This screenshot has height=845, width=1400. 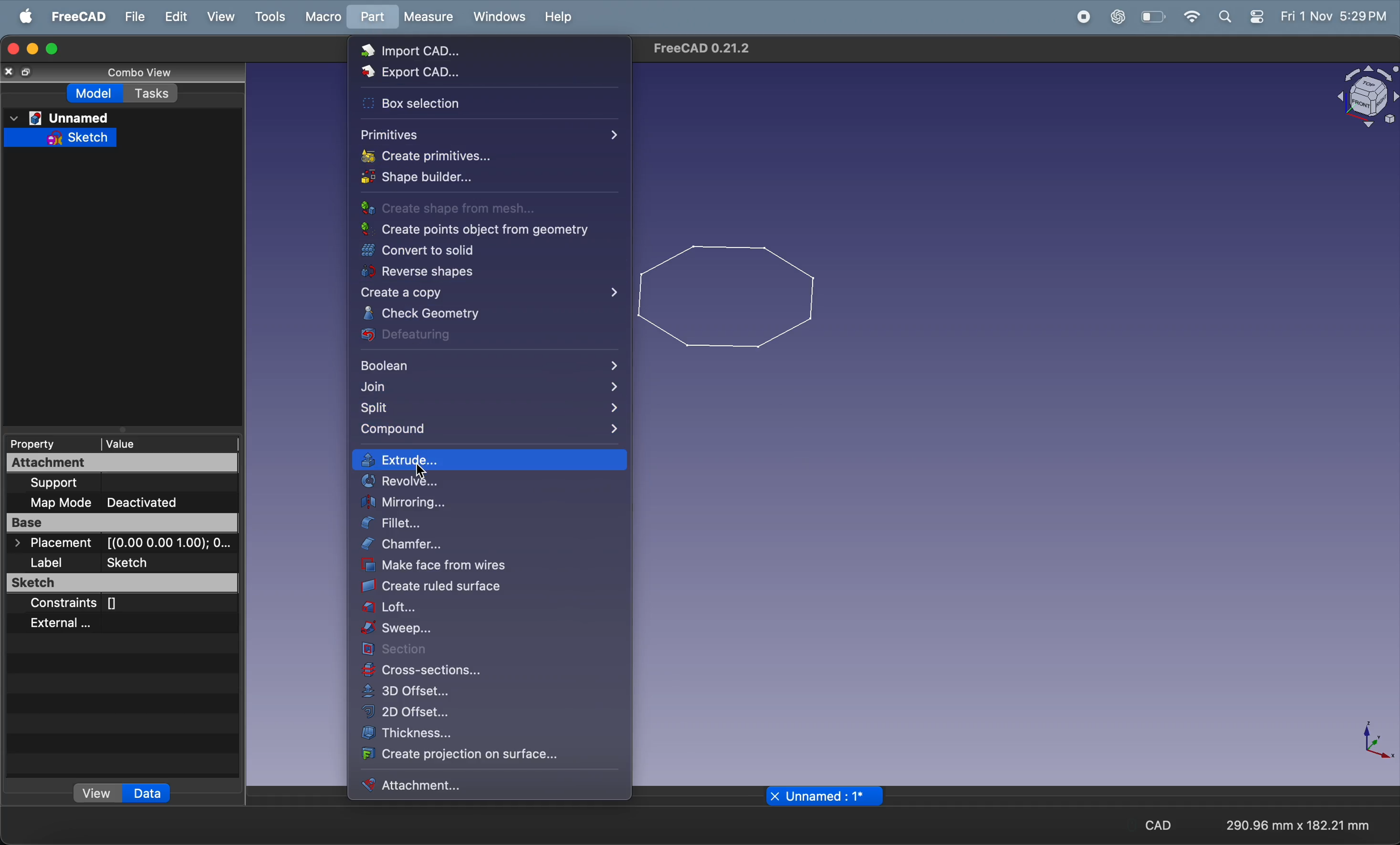 What do you see at coordinates (493, 483) in the screenshot?
I see `revolve` at bounding box center [493, 483].